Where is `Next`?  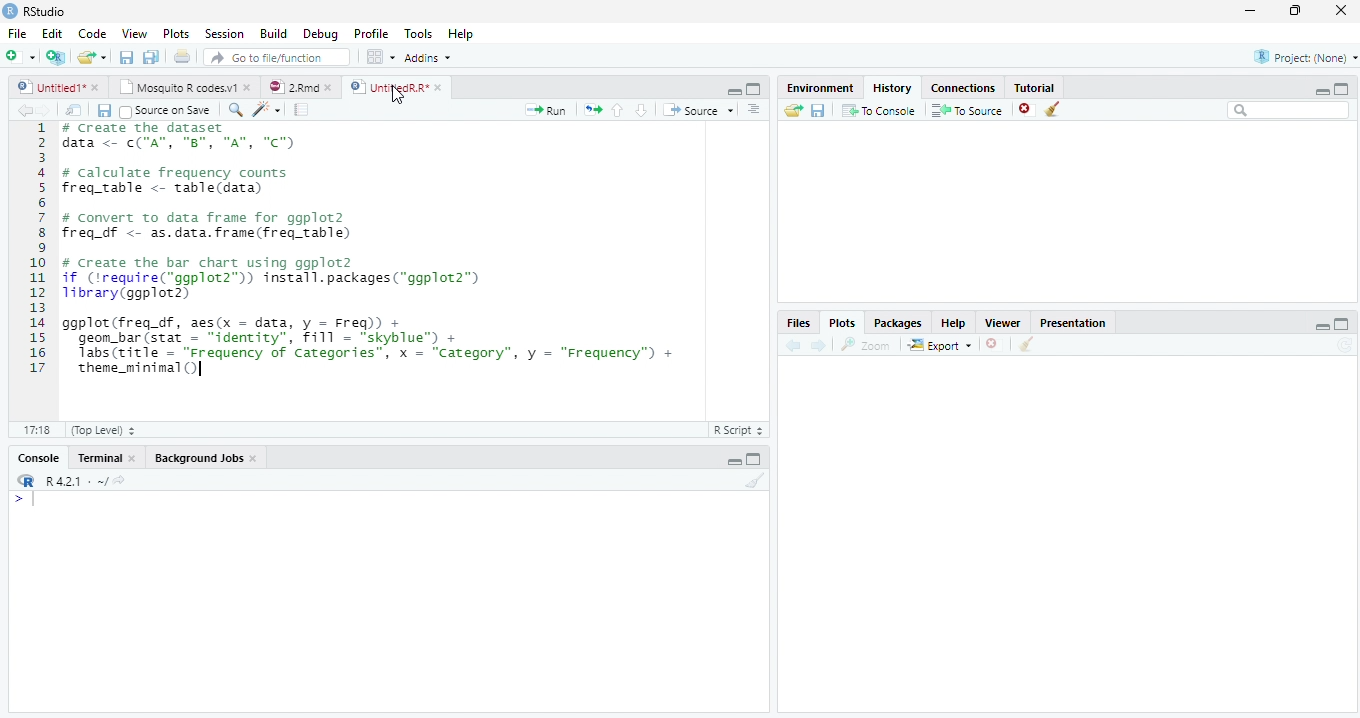 Next is located at coordinates (820, 344).